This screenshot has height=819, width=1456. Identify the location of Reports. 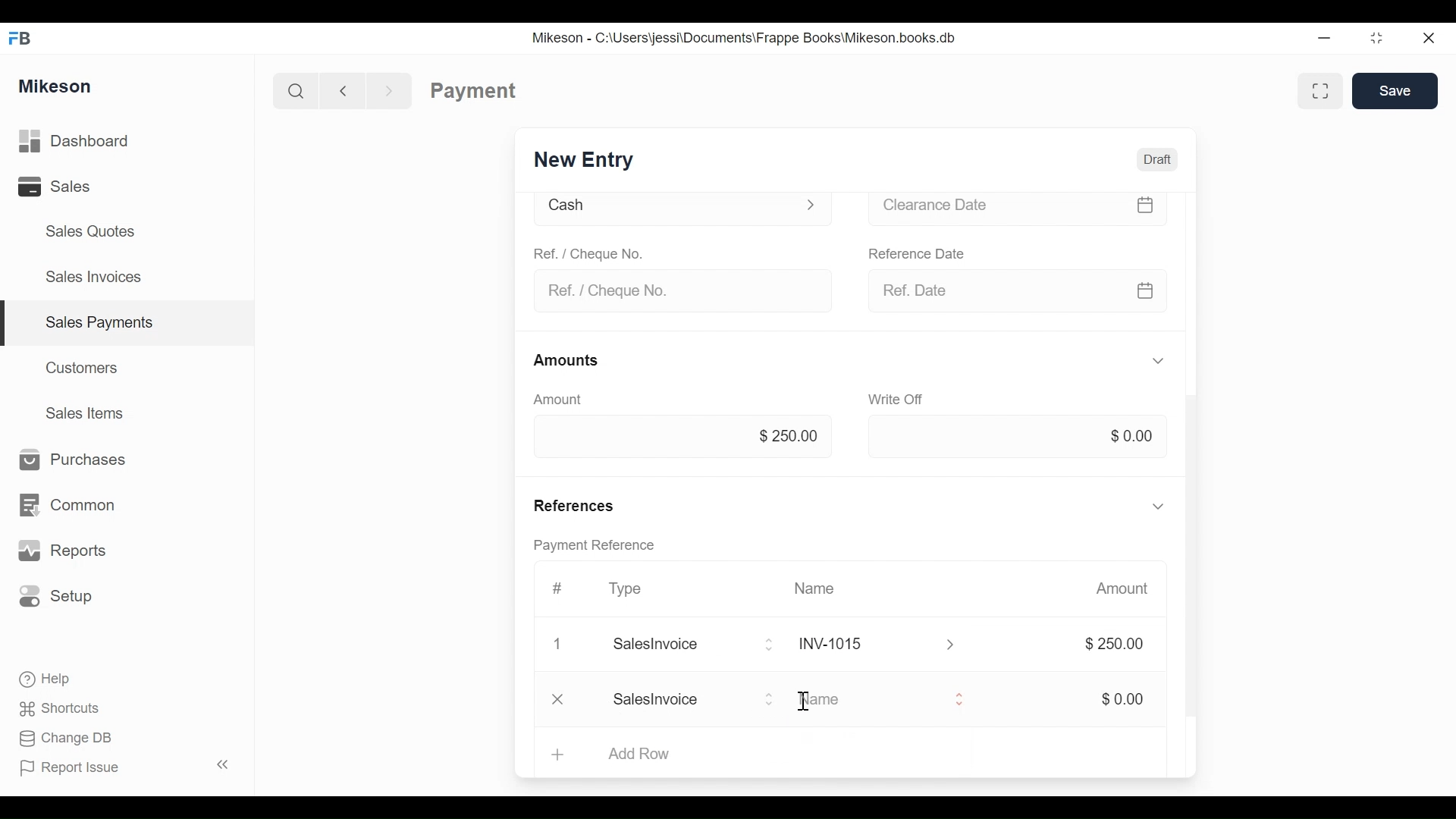
(65, 551).